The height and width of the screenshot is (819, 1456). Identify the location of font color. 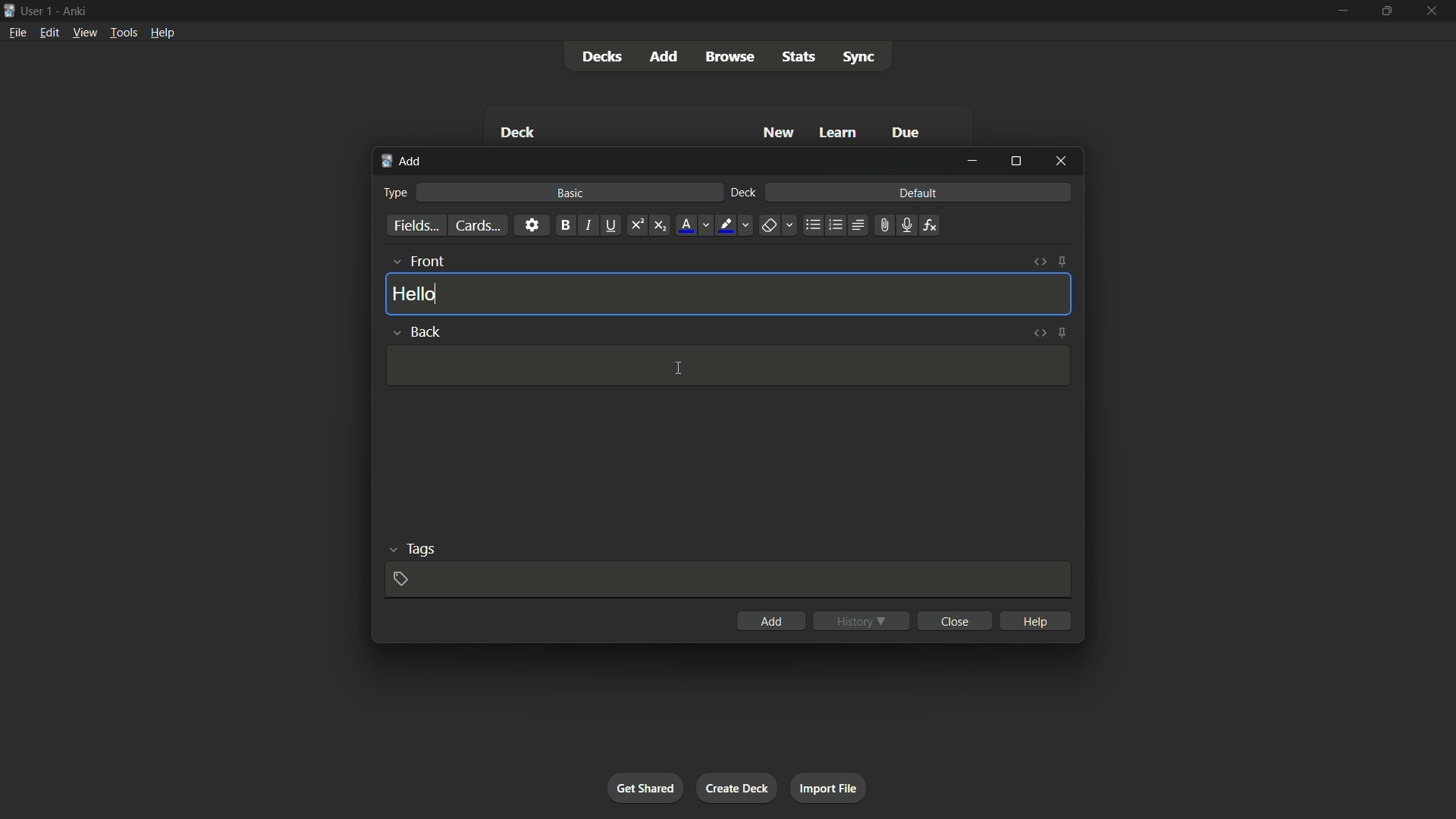
(695, 226).